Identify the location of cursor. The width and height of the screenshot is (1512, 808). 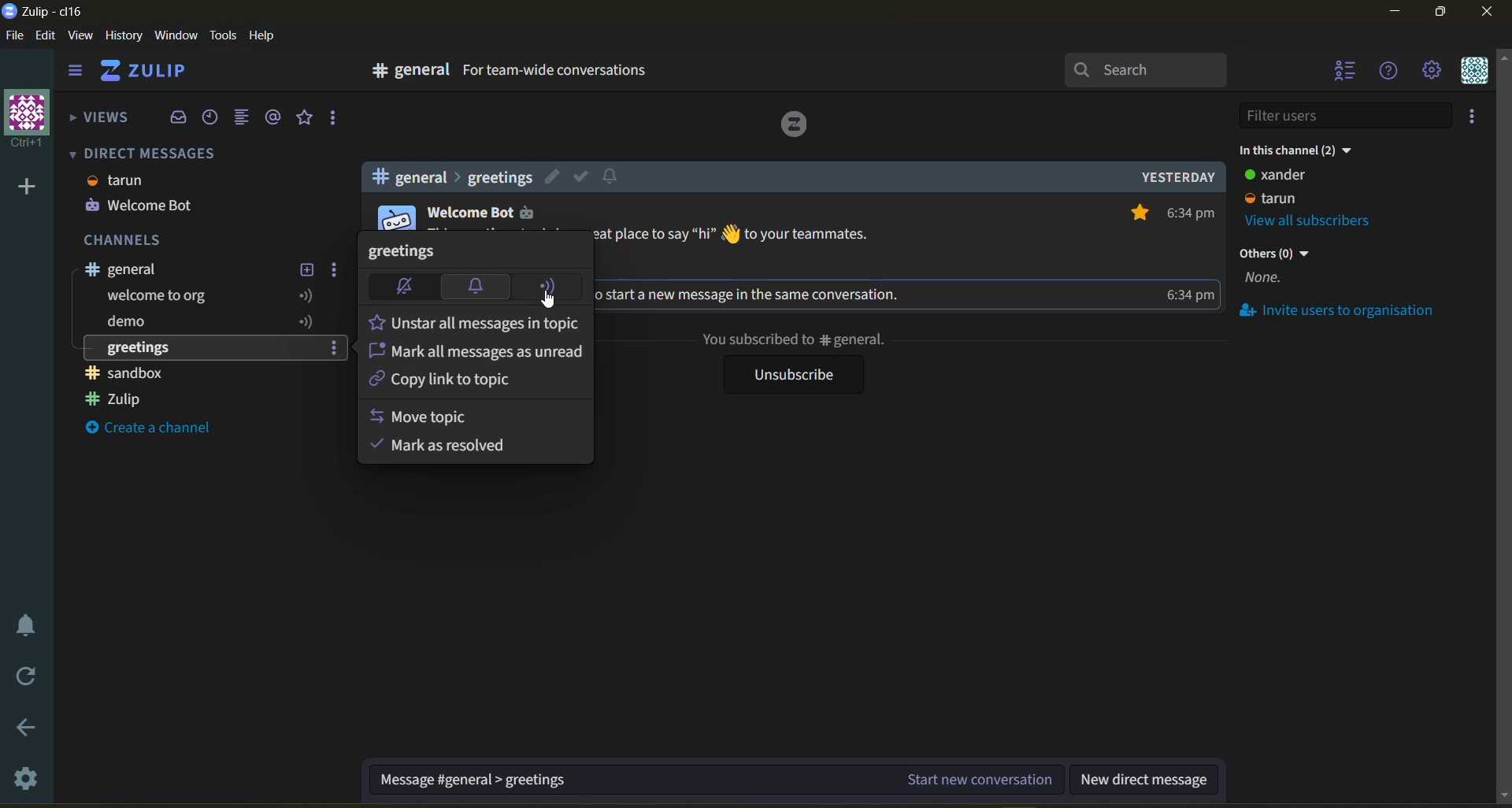
(547, 298).